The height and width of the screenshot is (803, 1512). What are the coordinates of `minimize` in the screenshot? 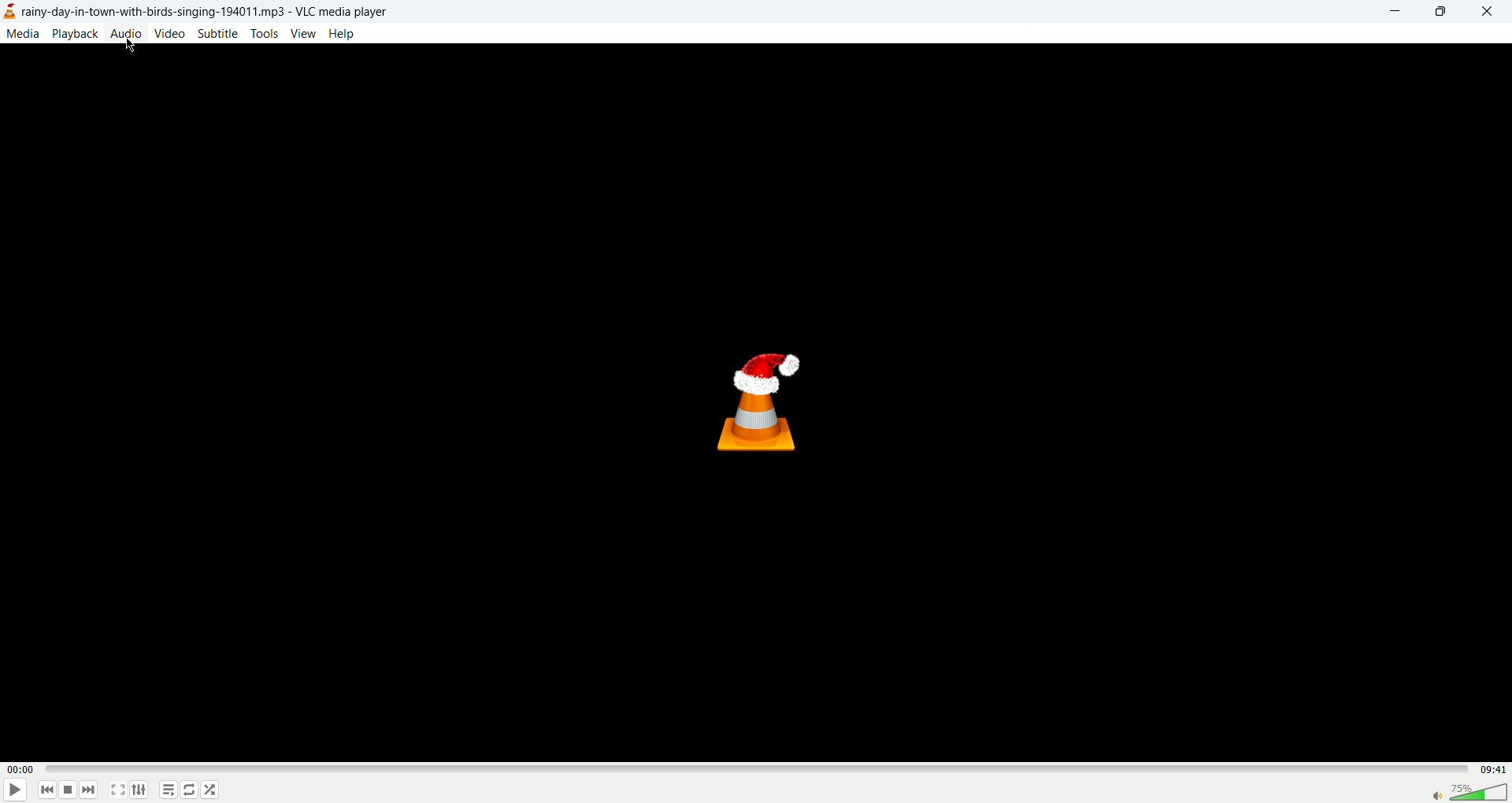 It's located at (1392, 13).